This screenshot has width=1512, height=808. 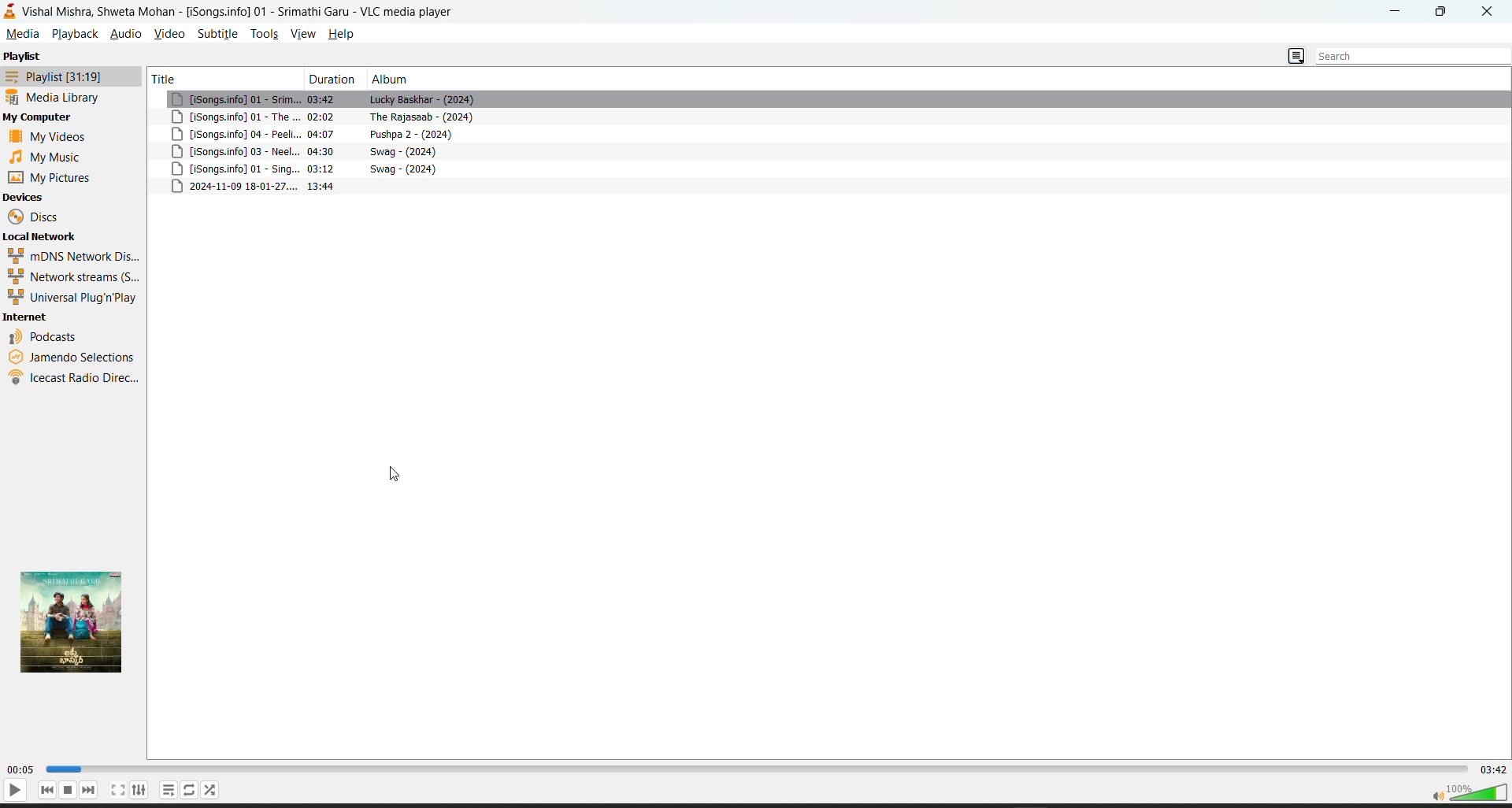 I want to click on playlist, so click(x=24, y=57).